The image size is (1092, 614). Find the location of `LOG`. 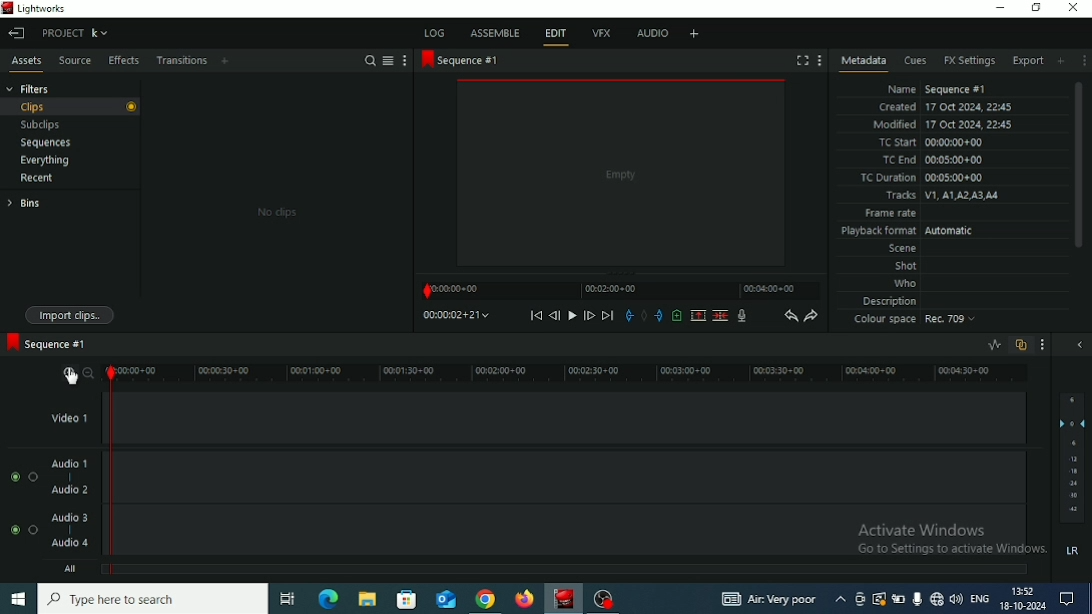

LOG is located at coordinates (433, 32).